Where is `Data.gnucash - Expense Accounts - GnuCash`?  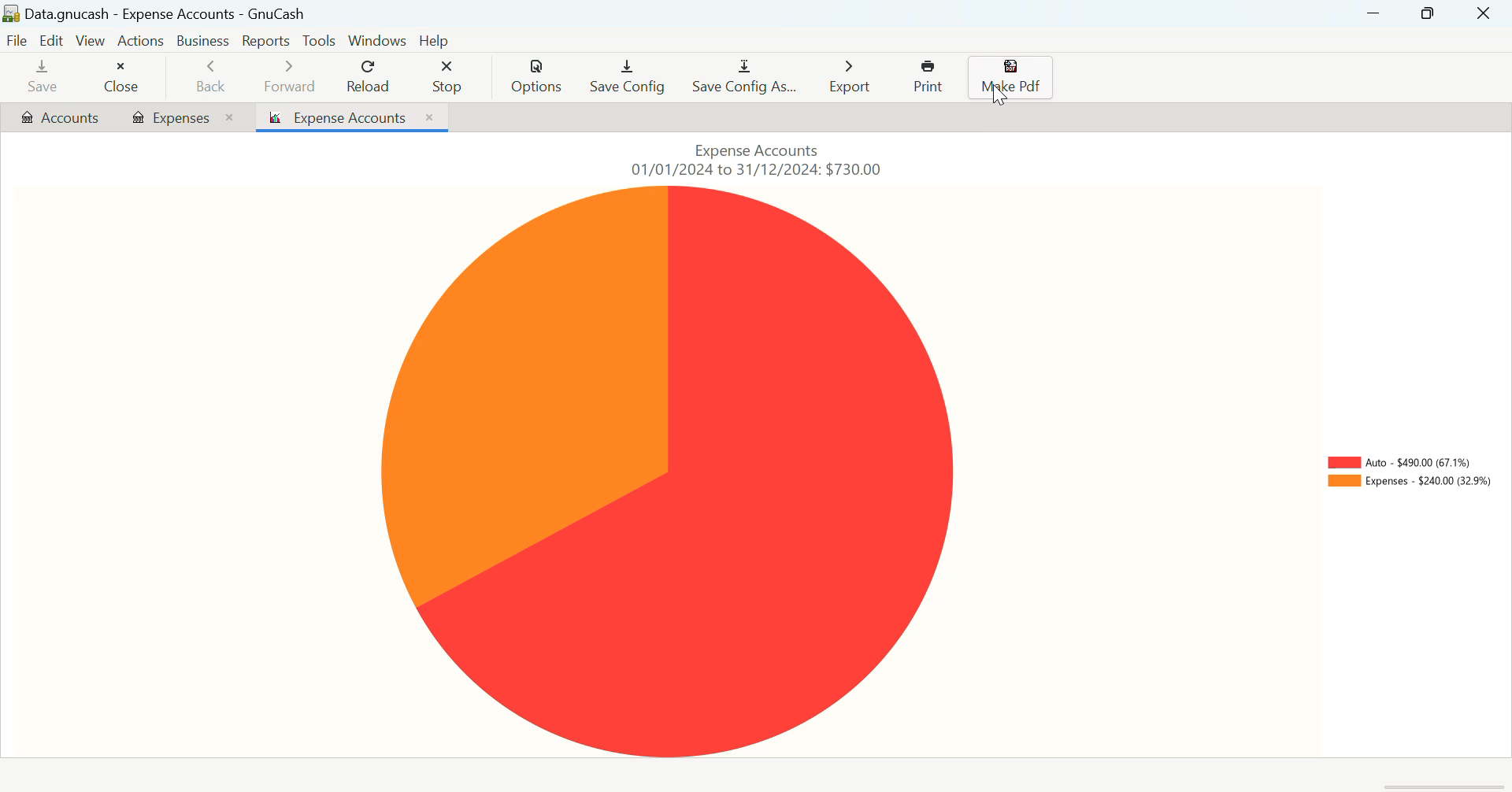
Data.gnucash - Expense Accounts - GnuCash is located at coordinates (161, 13).